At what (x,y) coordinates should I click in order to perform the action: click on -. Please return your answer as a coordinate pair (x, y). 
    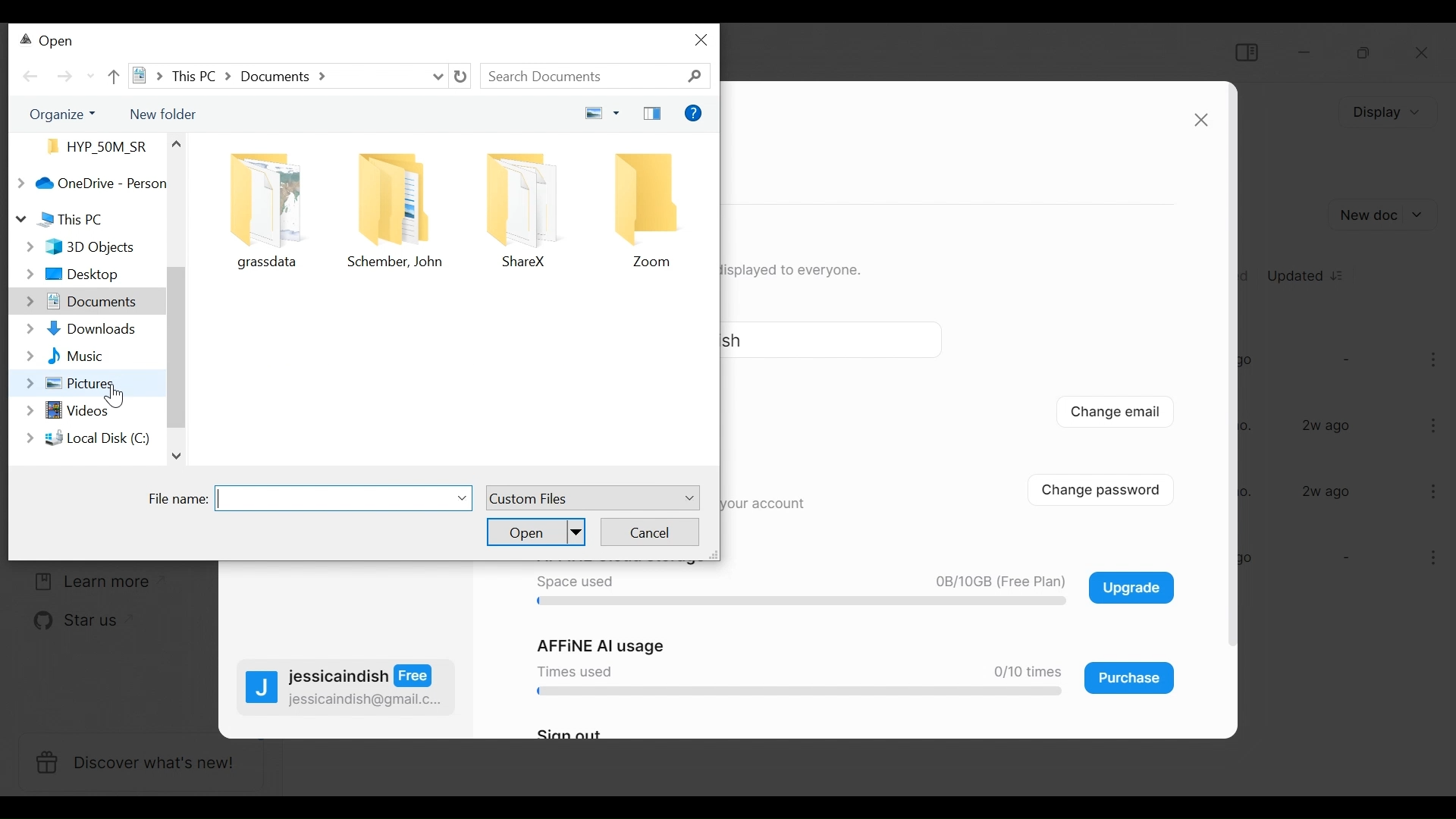
    Looking at the image, I should click on (1345, 359).